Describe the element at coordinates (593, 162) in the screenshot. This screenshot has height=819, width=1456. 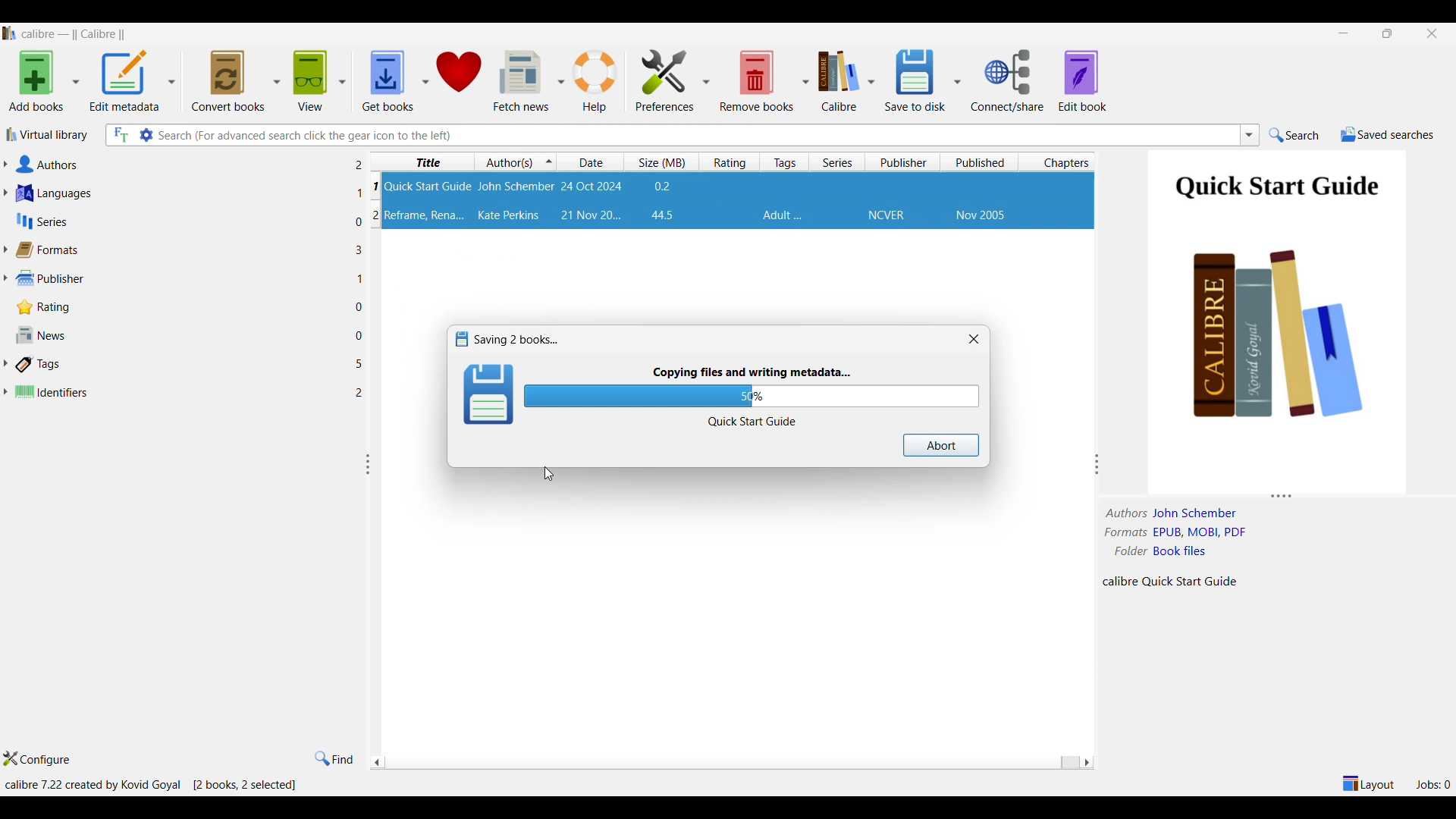
I see `Date column` at that location.